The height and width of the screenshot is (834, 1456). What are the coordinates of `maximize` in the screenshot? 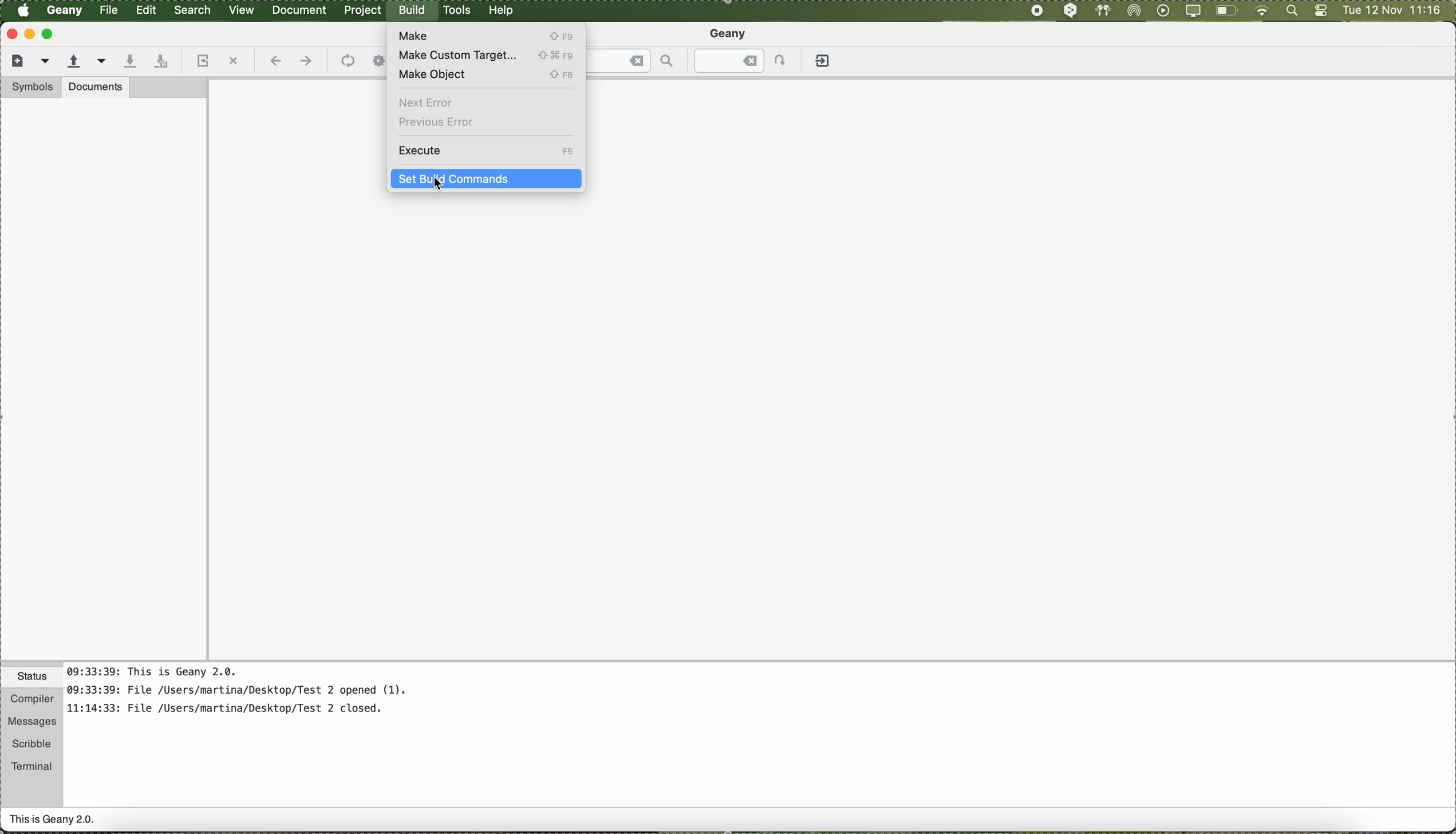 It's located at (50, 34).